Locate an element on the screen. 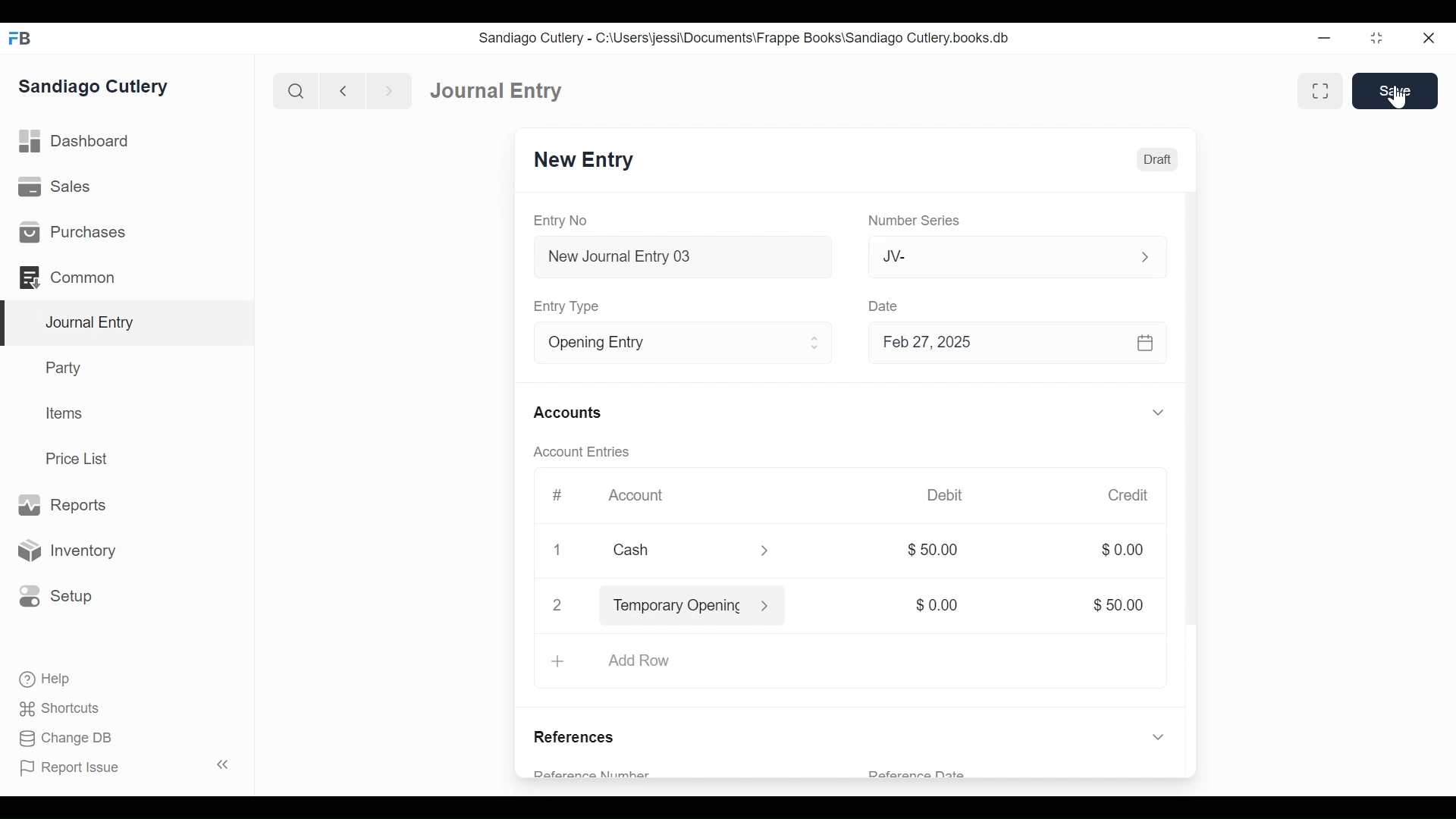 This screenshot has height=819, width=1456. Expand is located at coordinates (1143, 256).